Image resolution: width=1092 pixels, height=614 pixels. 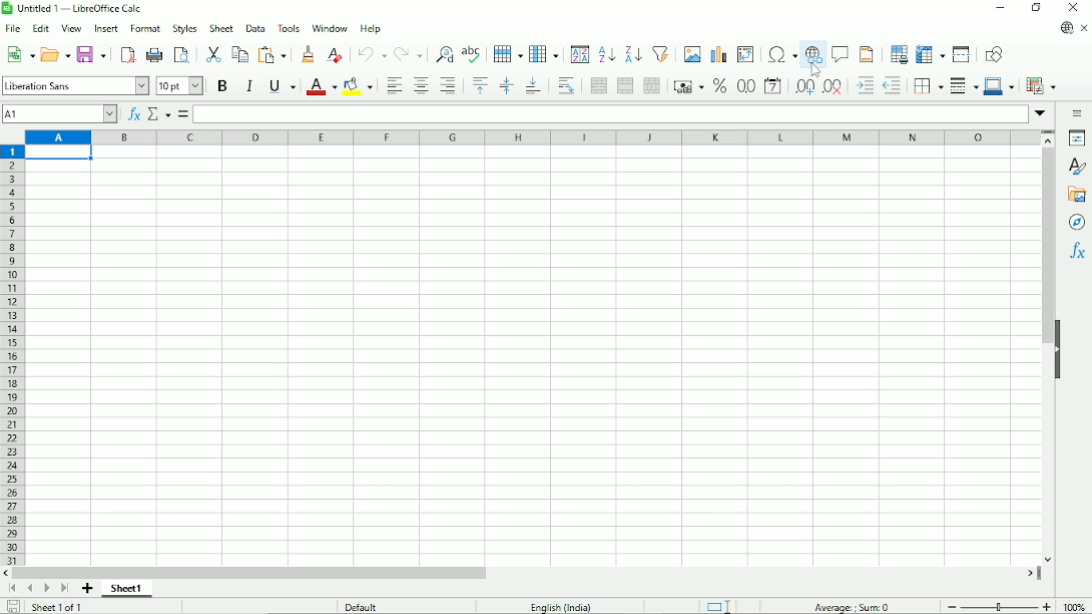 What do you see at coordinates (154, 55) in the screenshot?
I see `Print` at bounding box center [154, 55].